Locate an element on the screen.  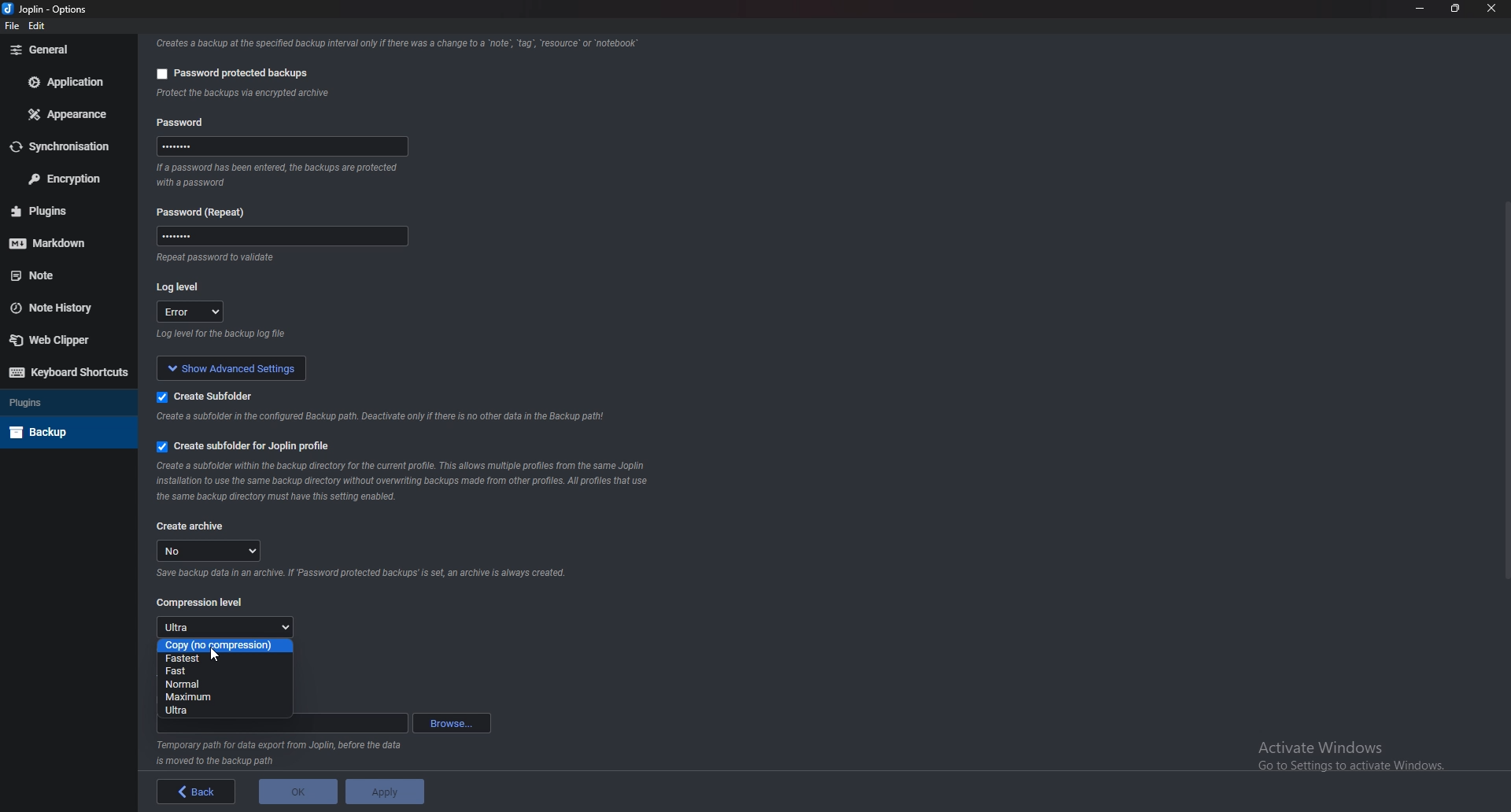
ok is located at coordinates (292, 794).